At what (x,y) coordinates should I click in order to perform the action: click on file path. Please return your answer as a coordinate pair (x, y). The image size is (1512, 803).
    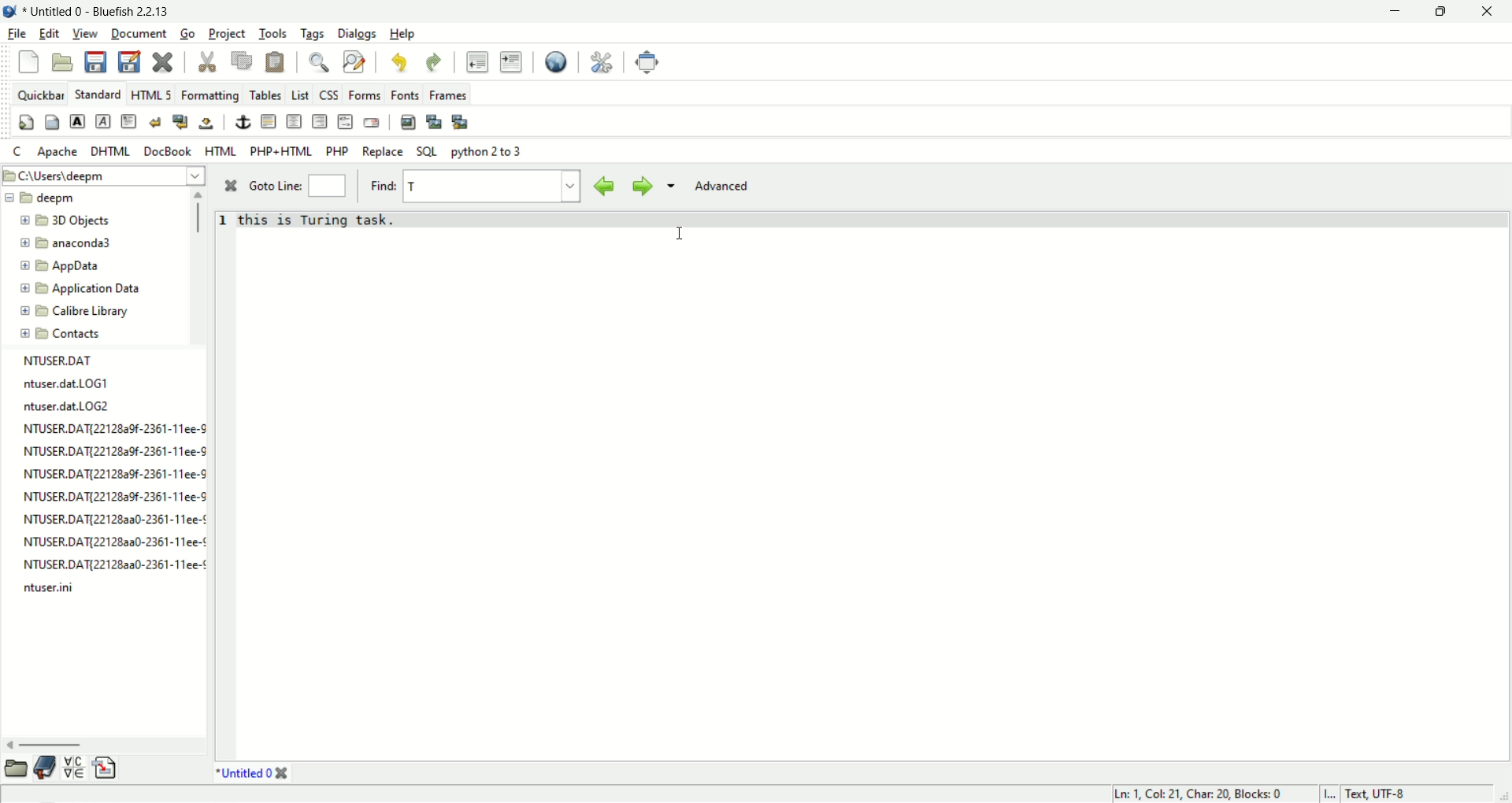
    Looking at the image, I should click on (105, 176).